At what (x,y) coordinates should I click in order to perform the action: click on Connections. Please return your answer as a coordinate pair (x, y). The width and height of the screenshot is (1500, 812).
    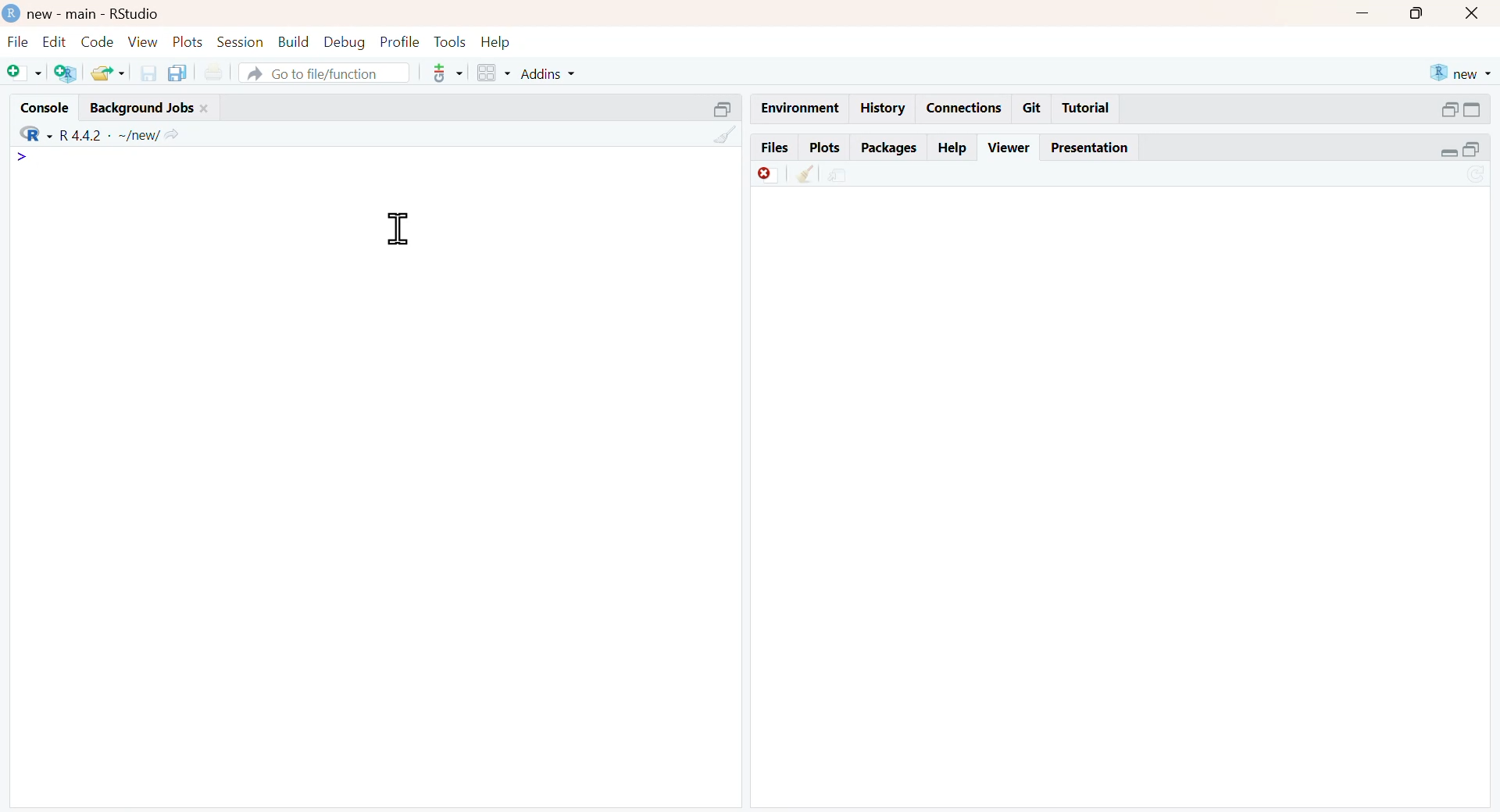
    Looking at the image, I should click on (962, 106).